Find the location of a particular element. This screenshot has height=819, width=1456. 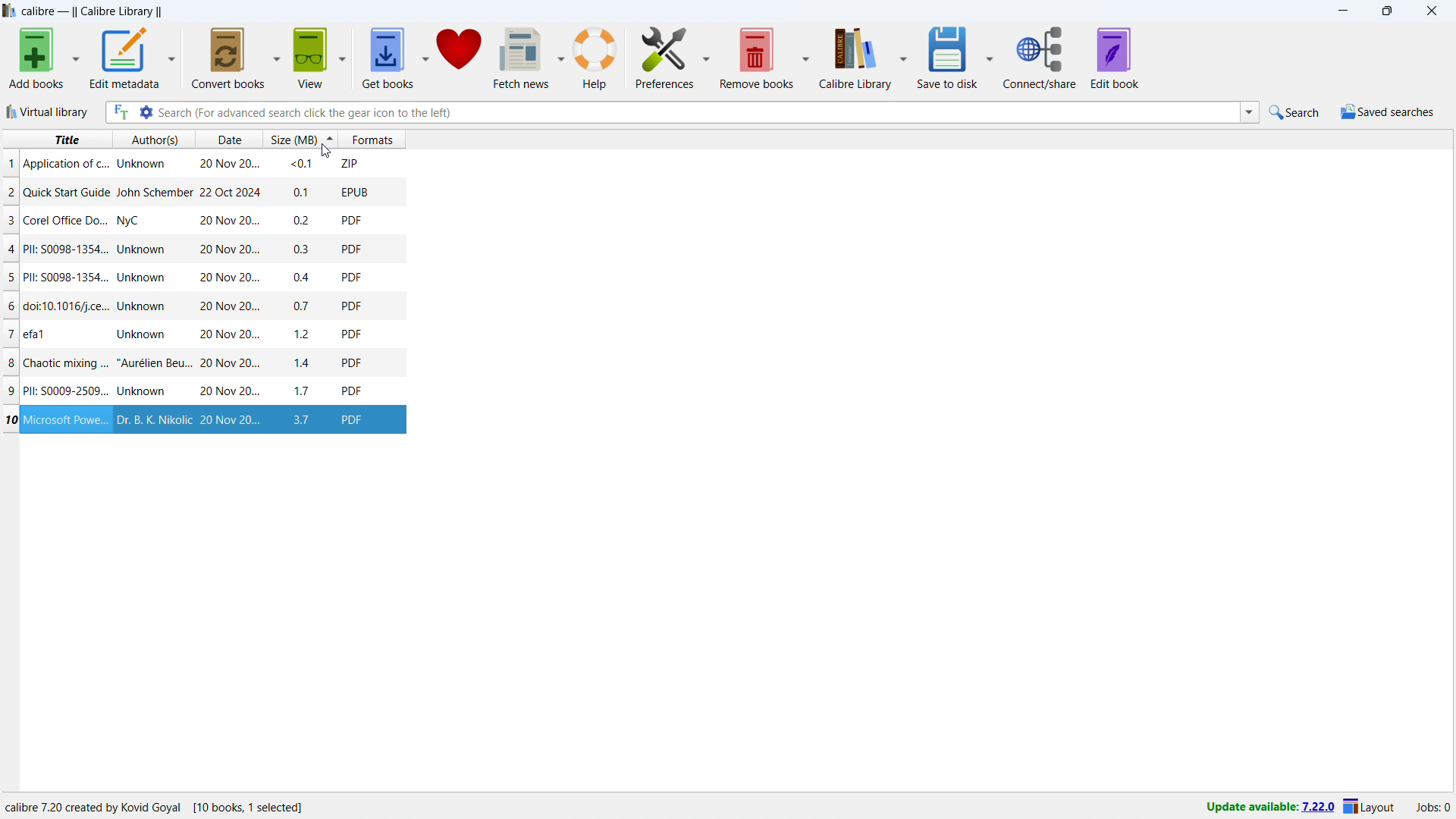

date is located at coordinates (229, 392).